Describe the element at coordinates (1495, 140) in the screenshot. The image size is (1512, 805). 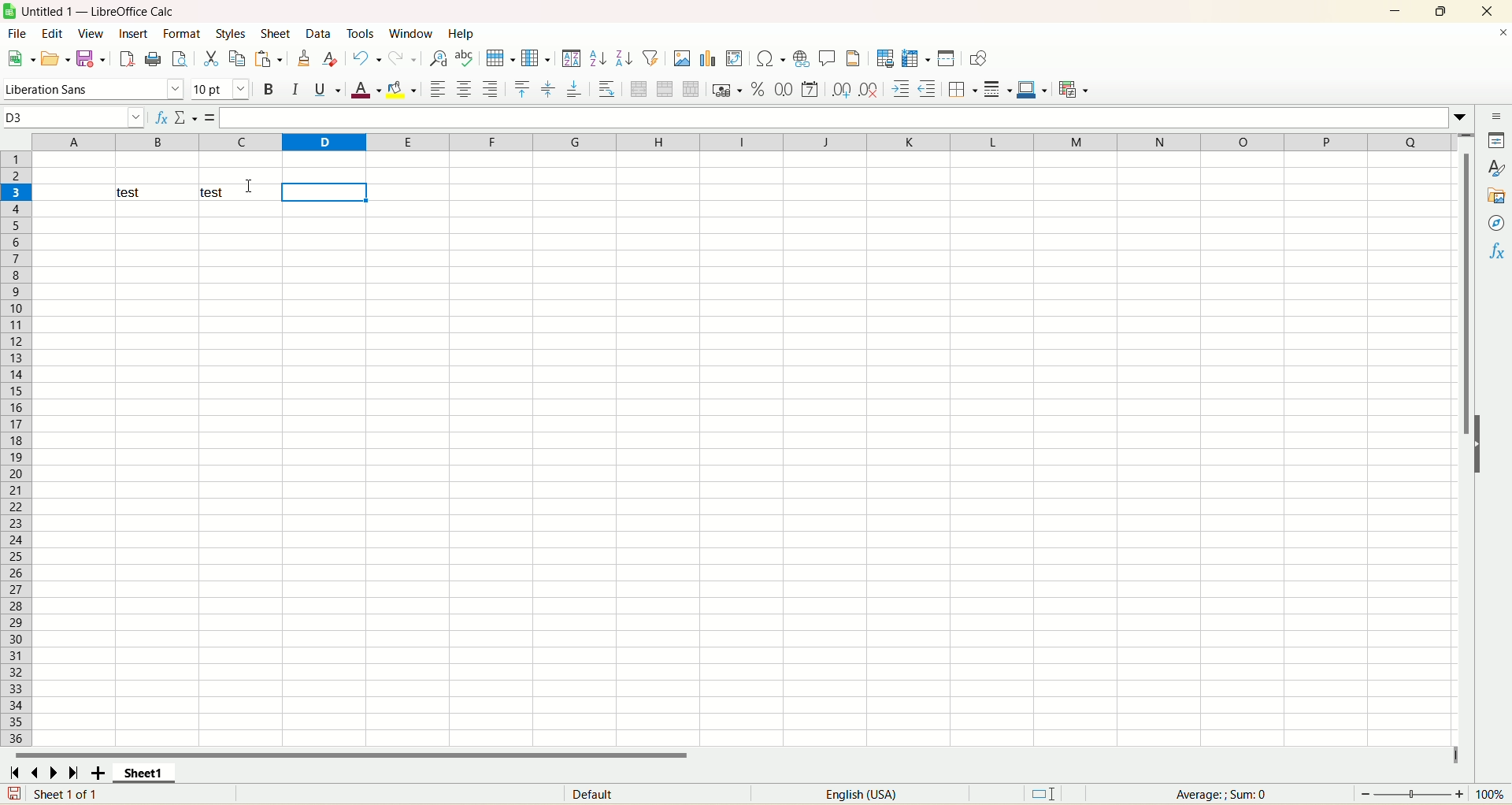
I see `properties` at that location.